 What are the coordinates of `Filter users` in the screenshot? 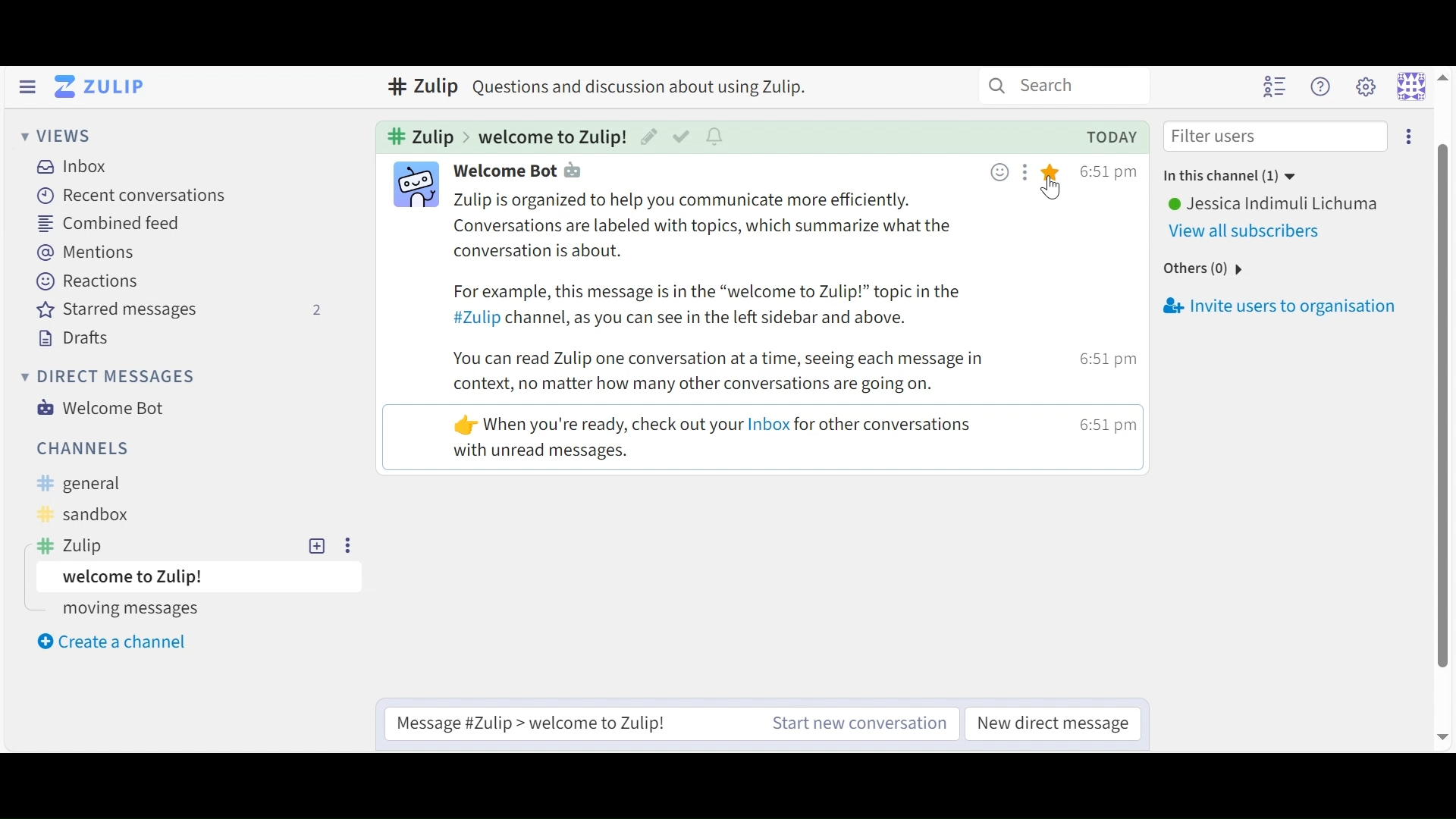 It's located at (1276, 134).